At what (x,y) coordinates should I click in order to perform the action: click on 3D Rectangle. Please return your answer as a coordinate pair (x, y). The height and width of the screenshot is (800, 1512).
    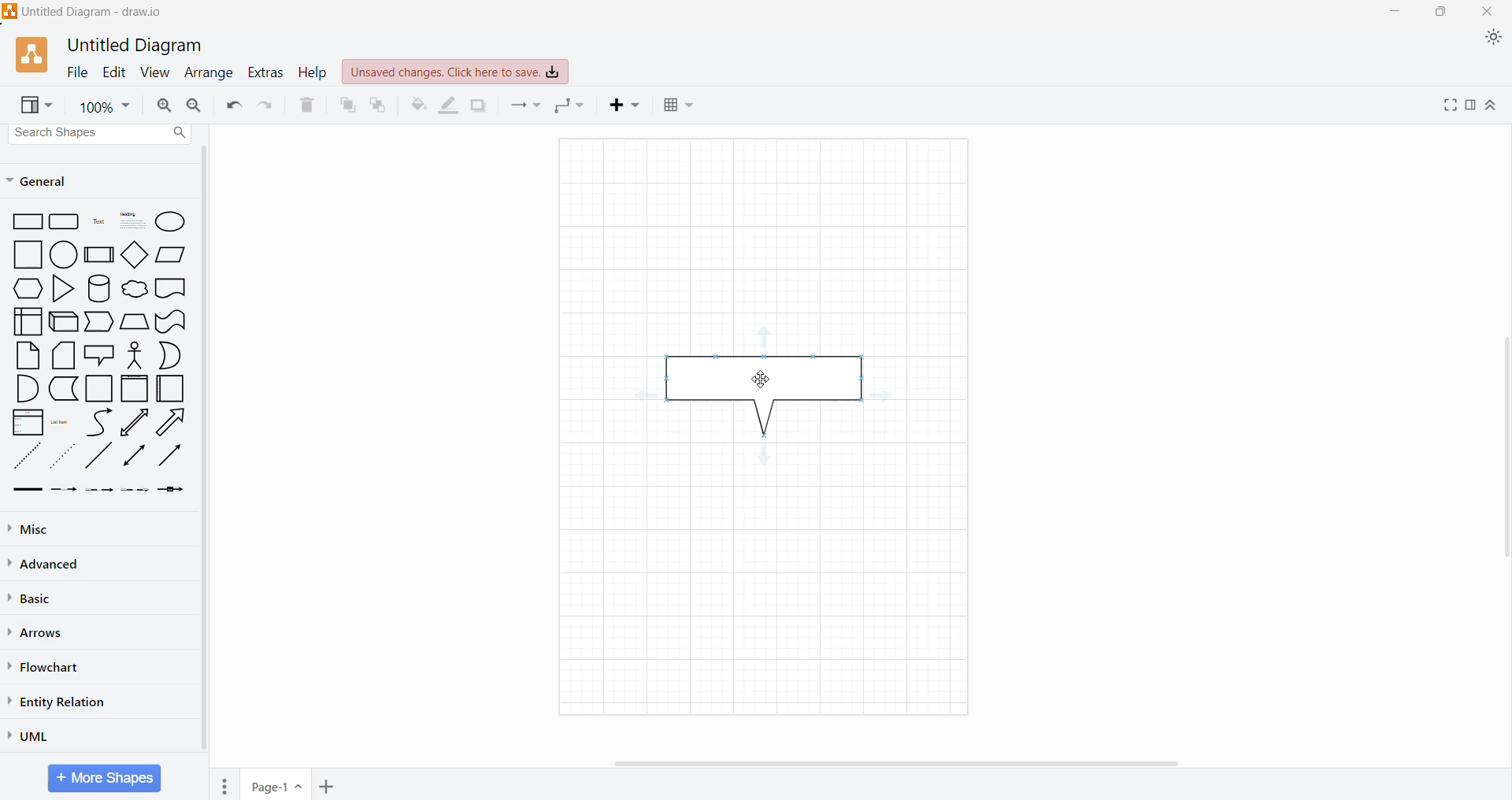
    Looking at the image, I should click on (64, 321).